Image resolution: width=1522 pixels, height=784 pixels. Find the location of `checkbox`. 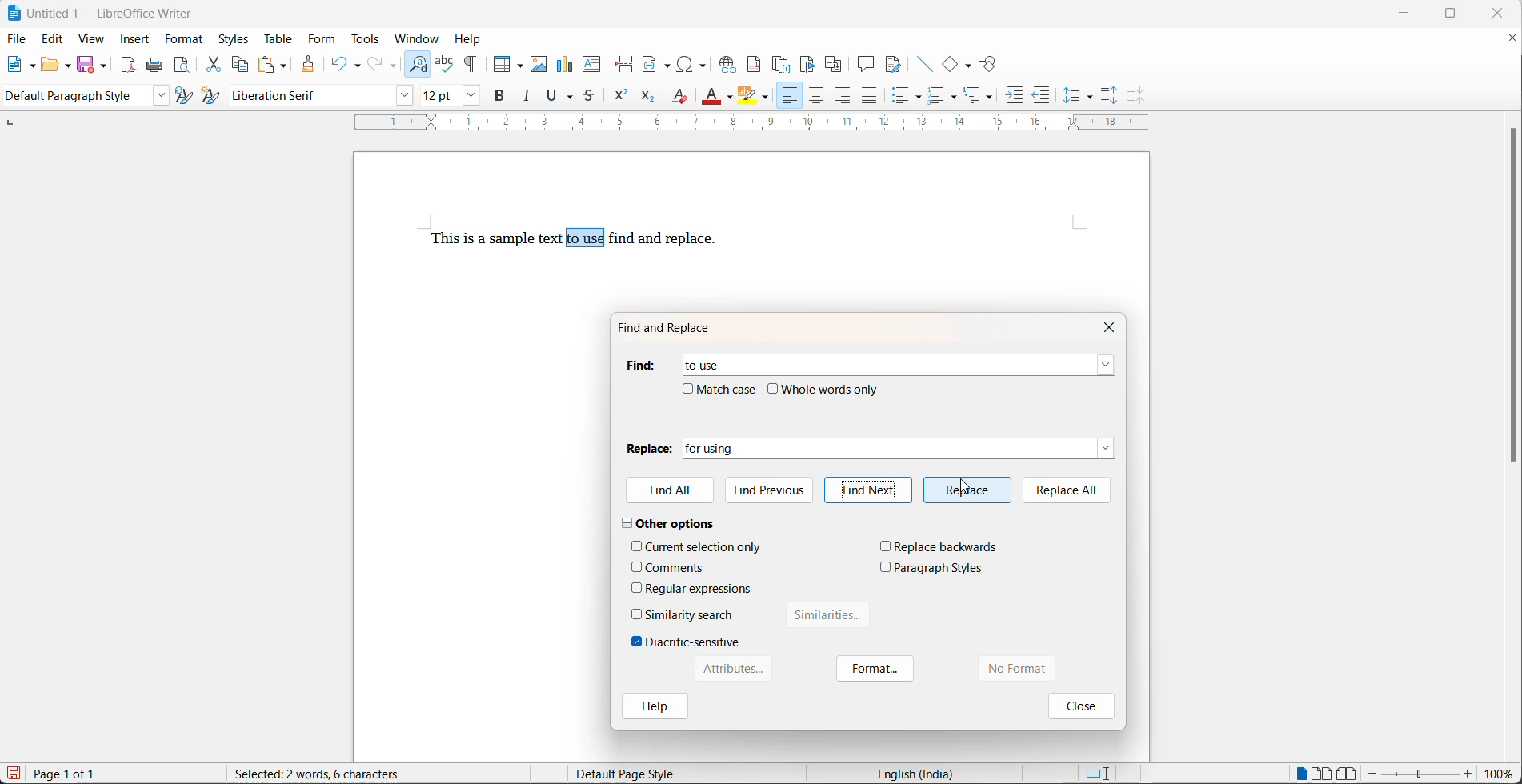

checkbox is located at coordinates (886, 566).